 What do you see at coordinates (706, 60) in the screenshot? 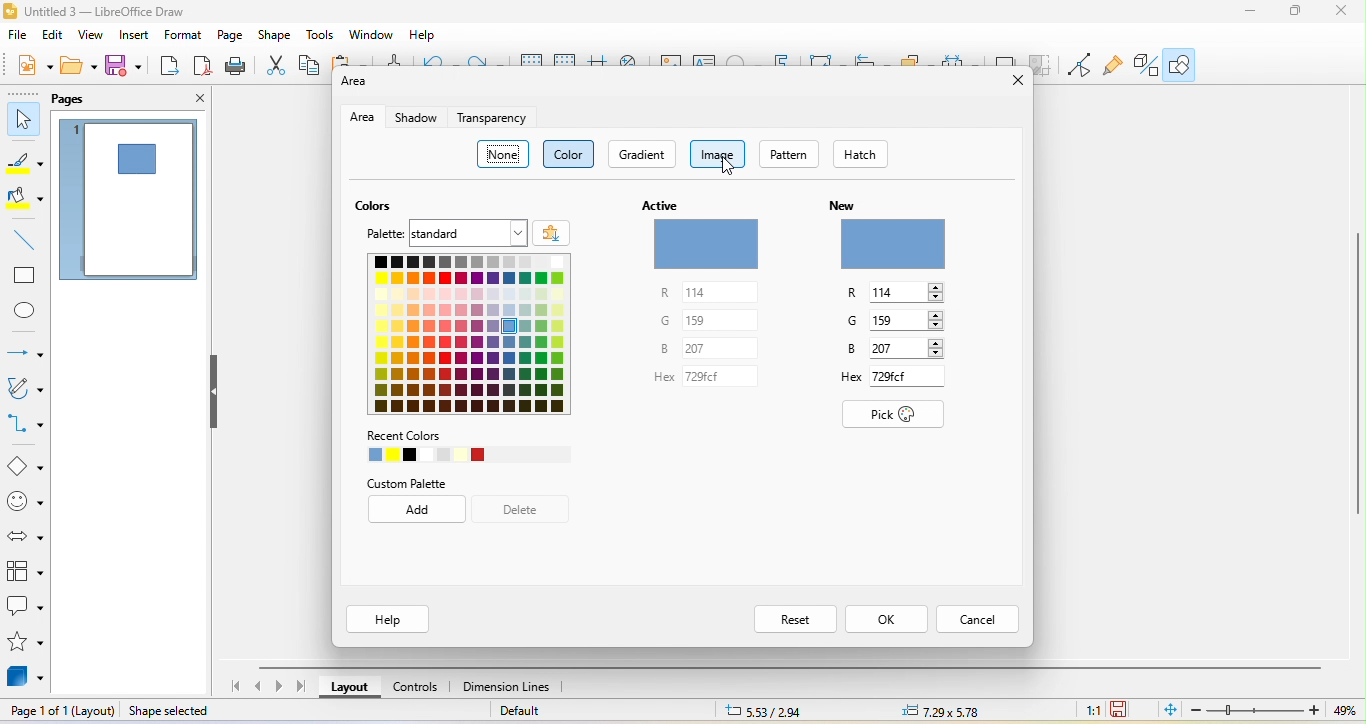
I see `text box` at bounding box center [706, 60].